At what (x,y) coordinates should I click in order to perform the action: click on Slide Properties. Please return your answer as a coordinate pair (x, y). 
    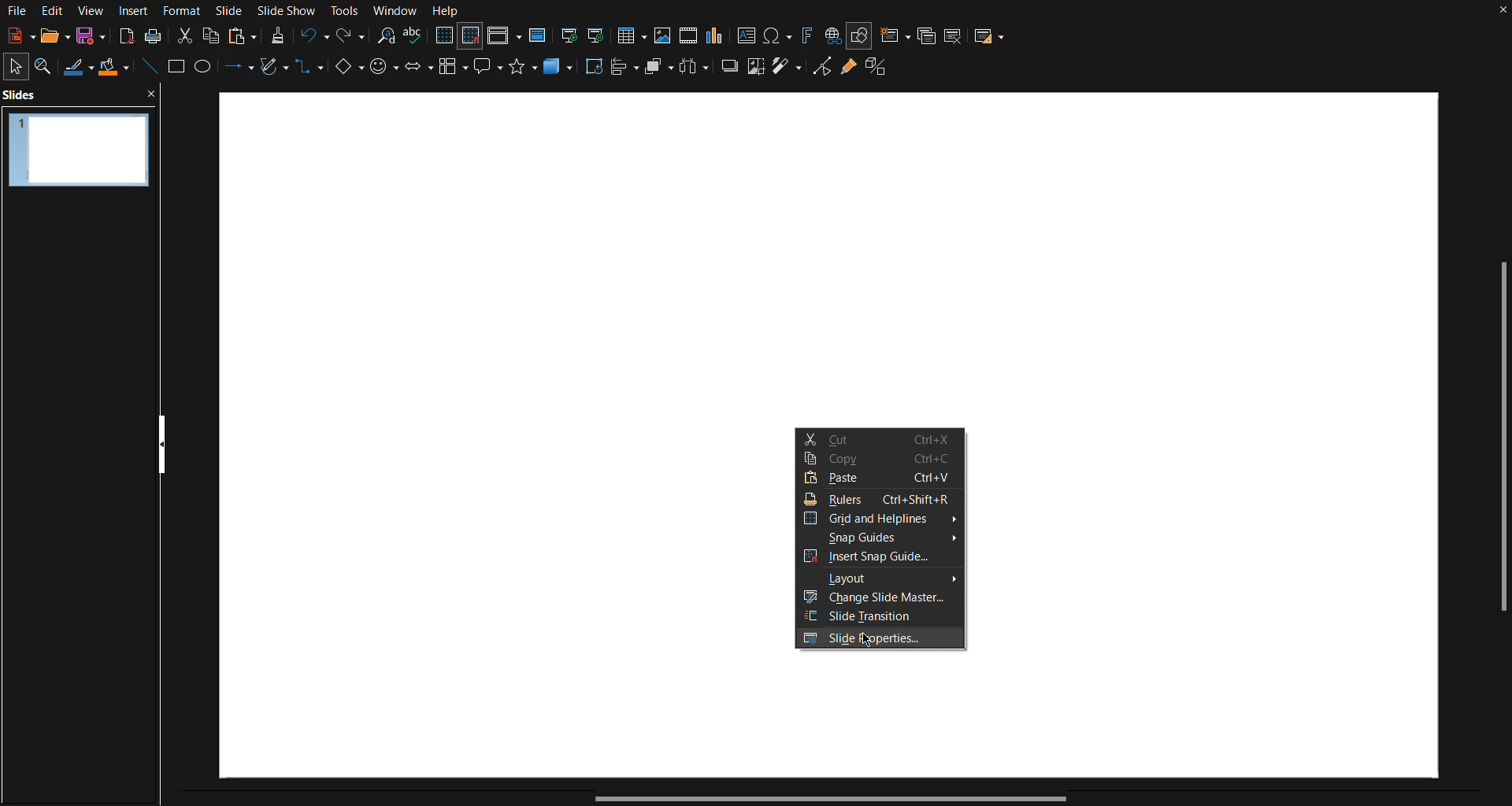
    Looking at the image, I should click on (882, 640).